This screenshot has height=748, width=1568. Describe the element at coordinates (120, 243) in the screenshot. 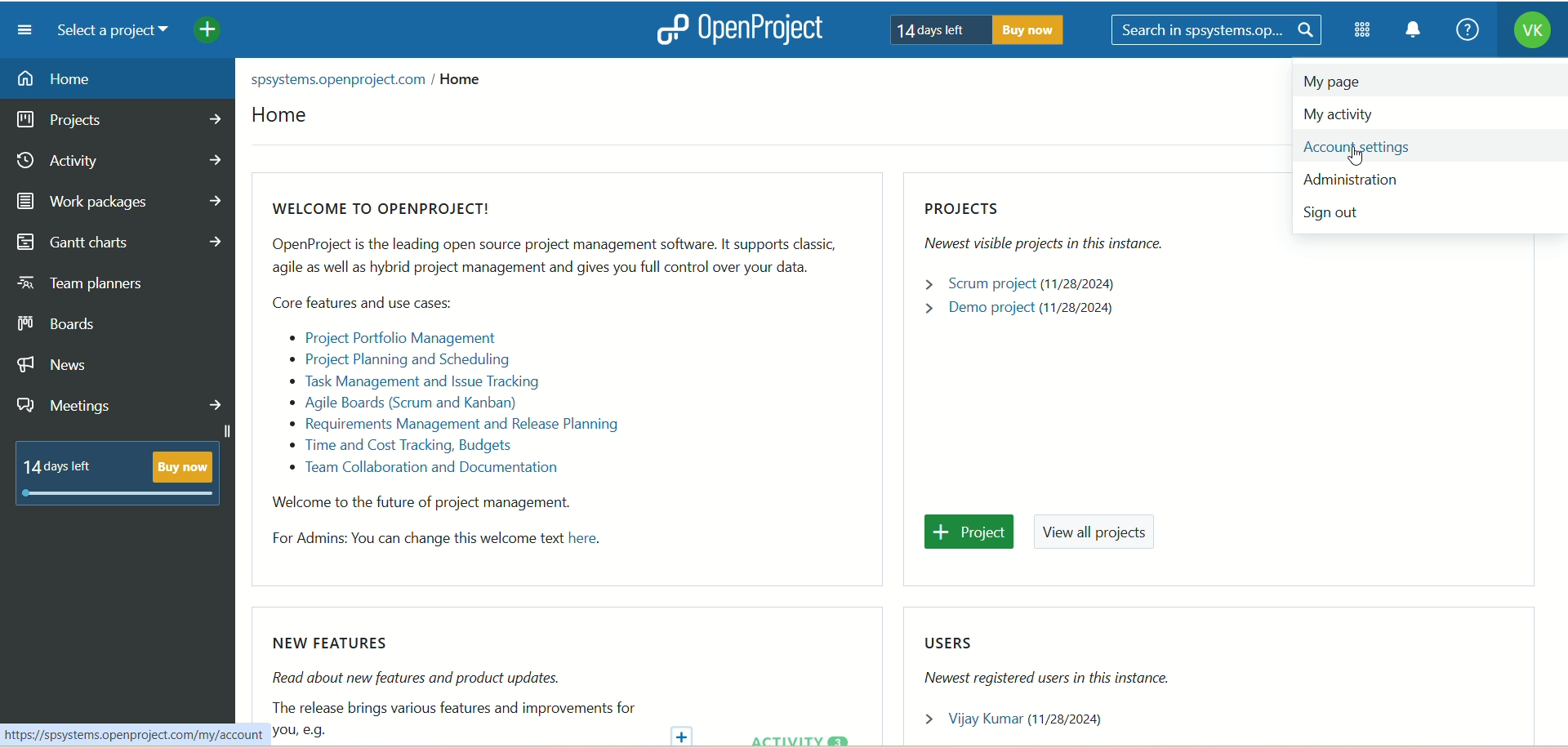

I see `gantt charts` at that location.